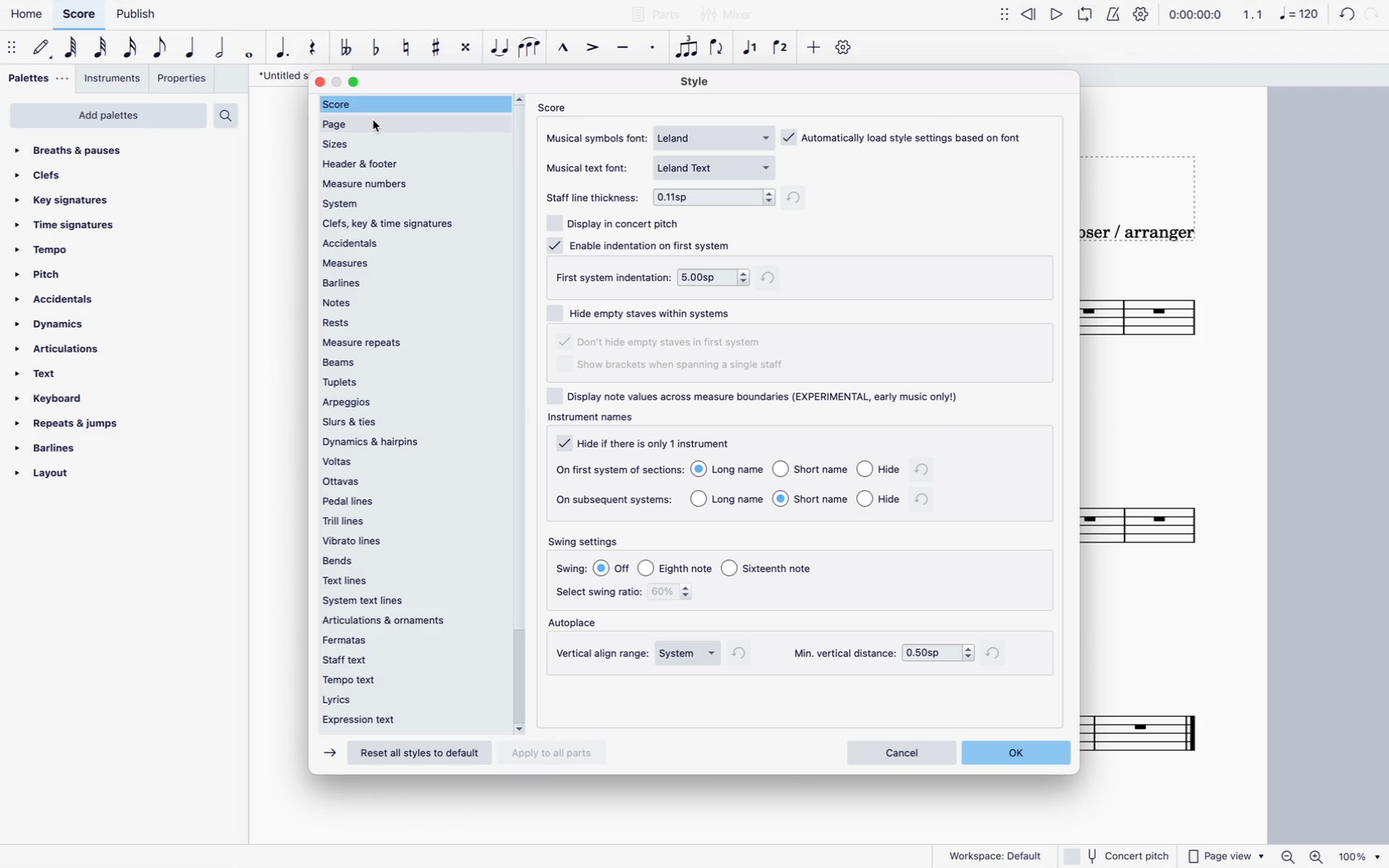 The height and width of the screenshot is (868, 1389). I want to click on show/hide, so click(1003, 19).